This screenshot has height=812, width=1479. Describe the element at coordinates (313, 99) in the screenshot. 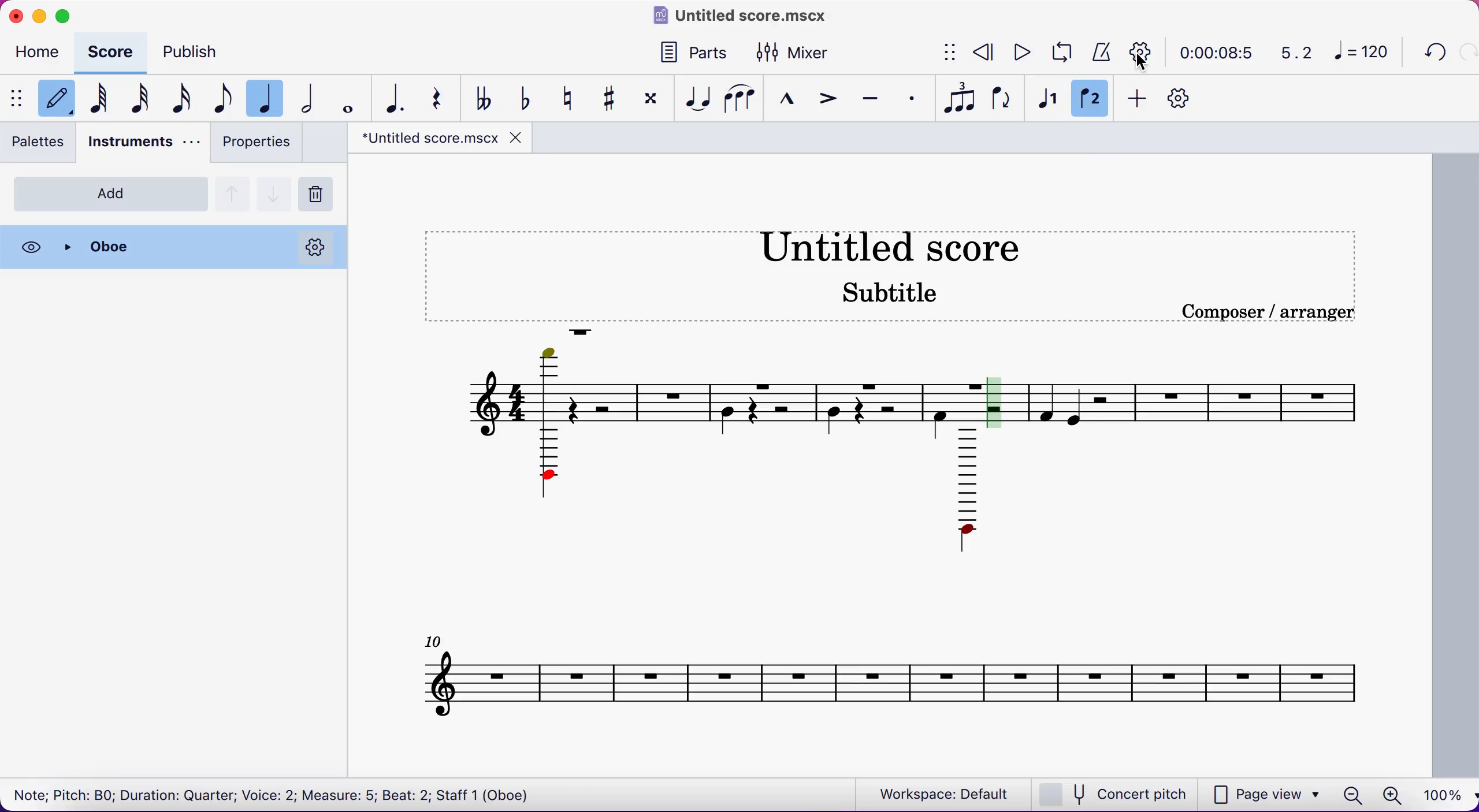

I see `half note` at that location.